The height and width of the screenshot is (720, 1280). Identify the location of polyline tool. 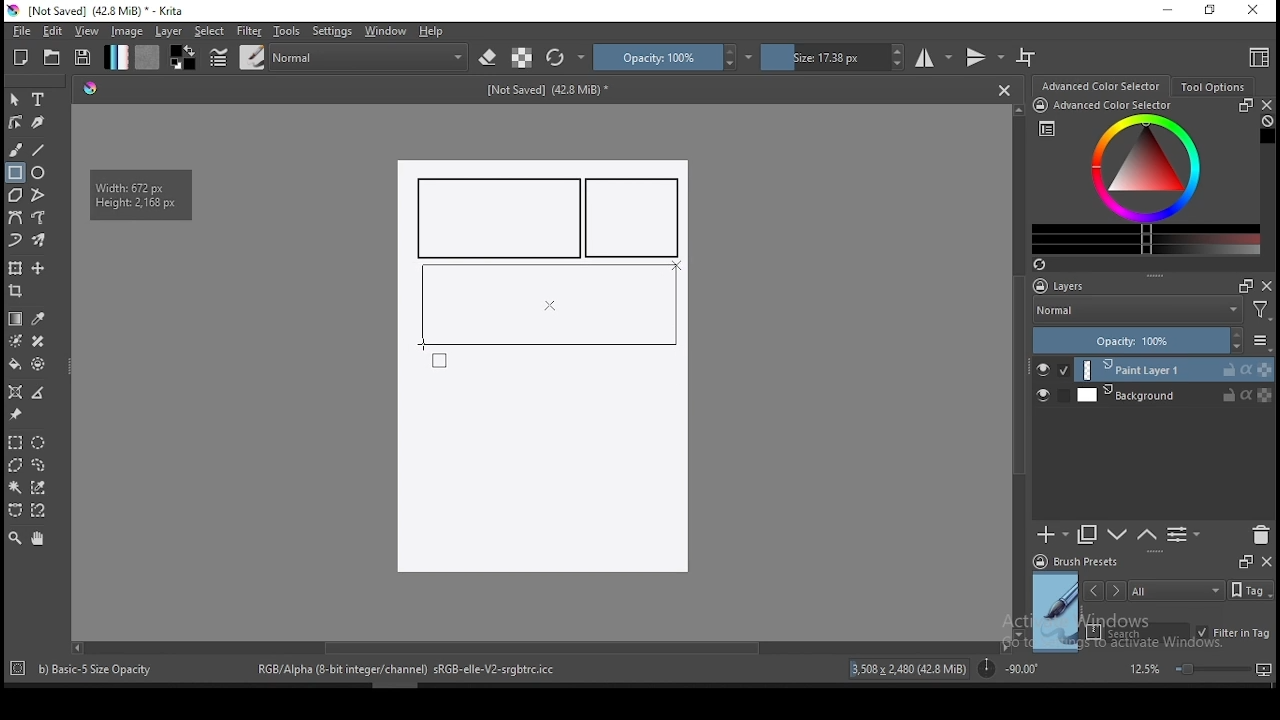
(38, 193).